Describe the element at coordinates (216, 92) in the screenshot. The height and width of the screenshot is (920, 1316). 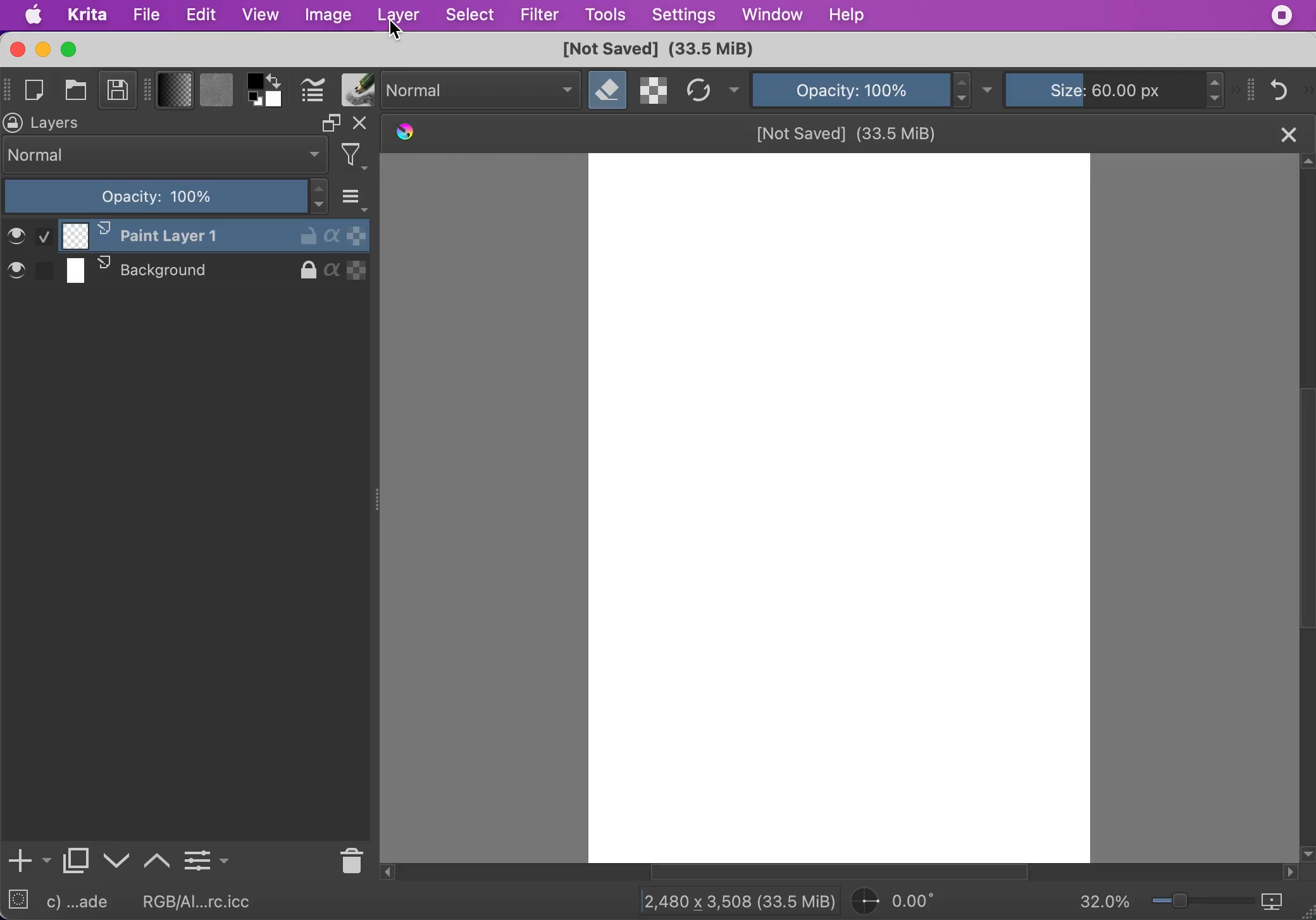
I see `fill patterns` at that location.